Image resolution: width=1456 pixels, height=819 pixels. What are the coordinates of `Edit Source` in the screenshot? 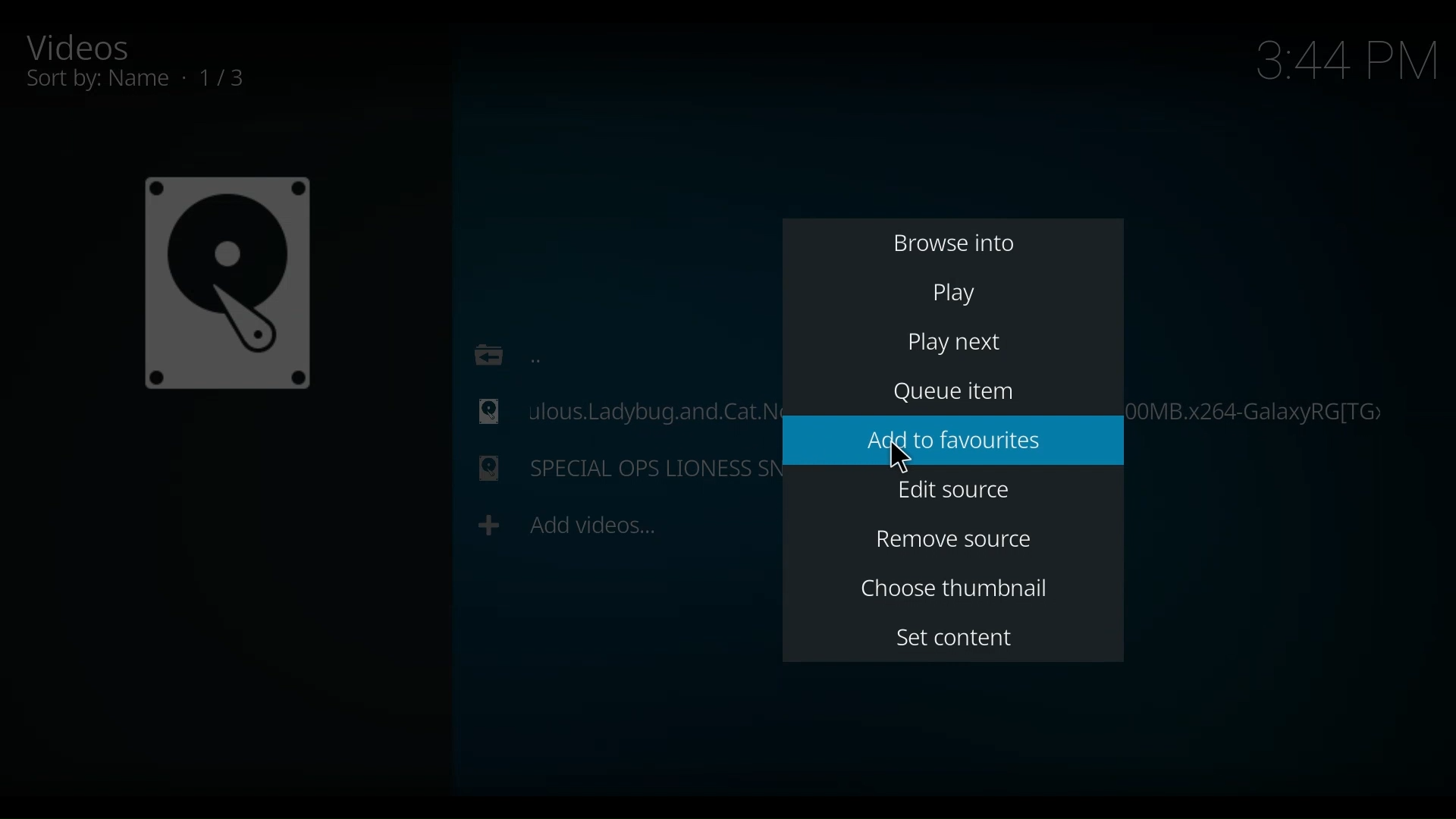 It's located at (957, 490).